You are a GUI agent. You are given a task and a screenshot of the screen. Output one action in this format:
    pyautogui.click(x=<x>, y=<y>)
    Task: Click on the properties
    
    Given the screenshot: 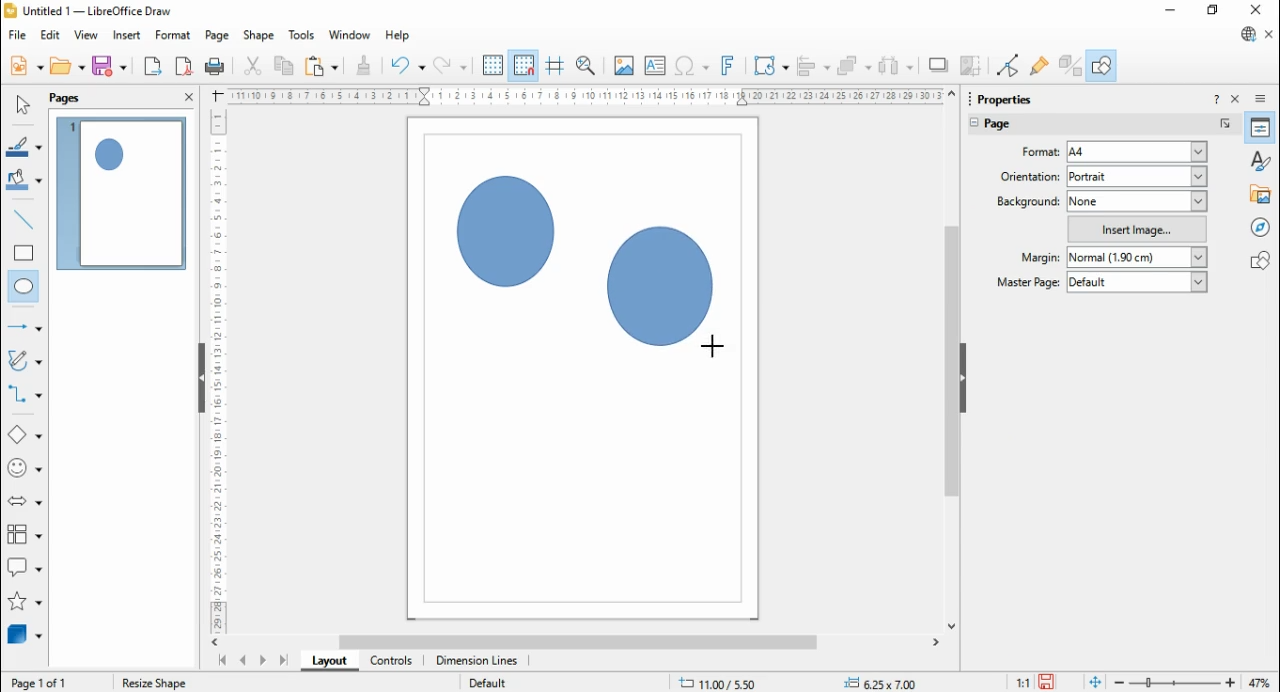 What is the action you would take?
    pyautogui.click(x=1261, y=127)
    